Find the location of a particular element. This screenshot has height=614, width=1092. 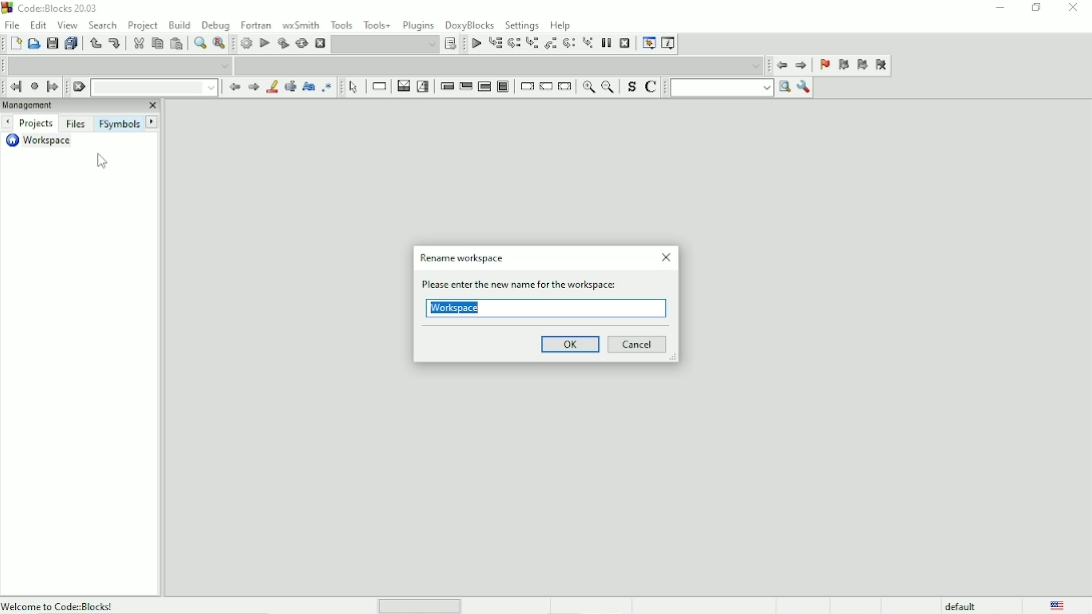

Last jump is located at coordinates (34, 86).